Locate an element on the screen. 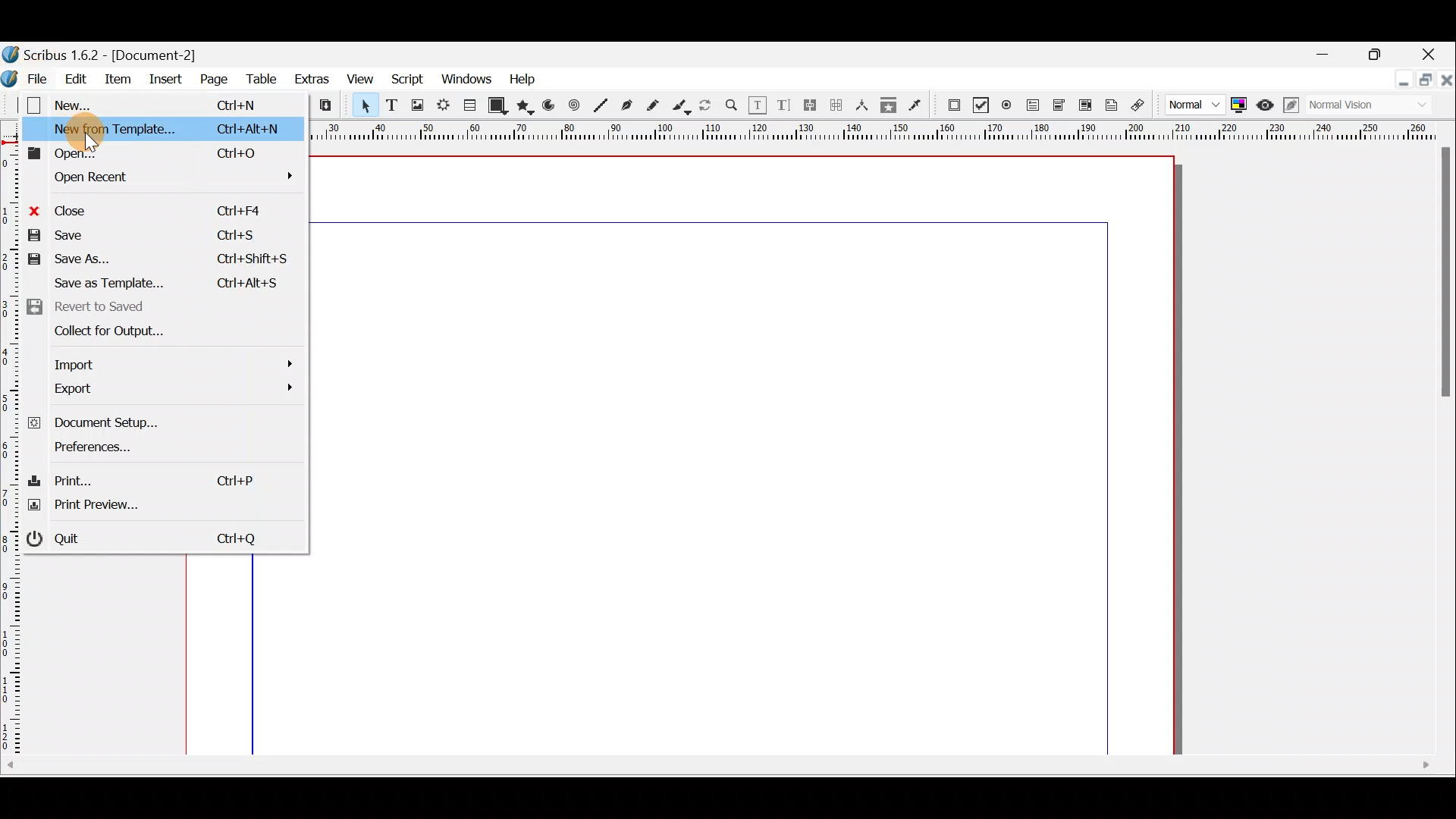  Open recent is located at coordinates (166, 180).